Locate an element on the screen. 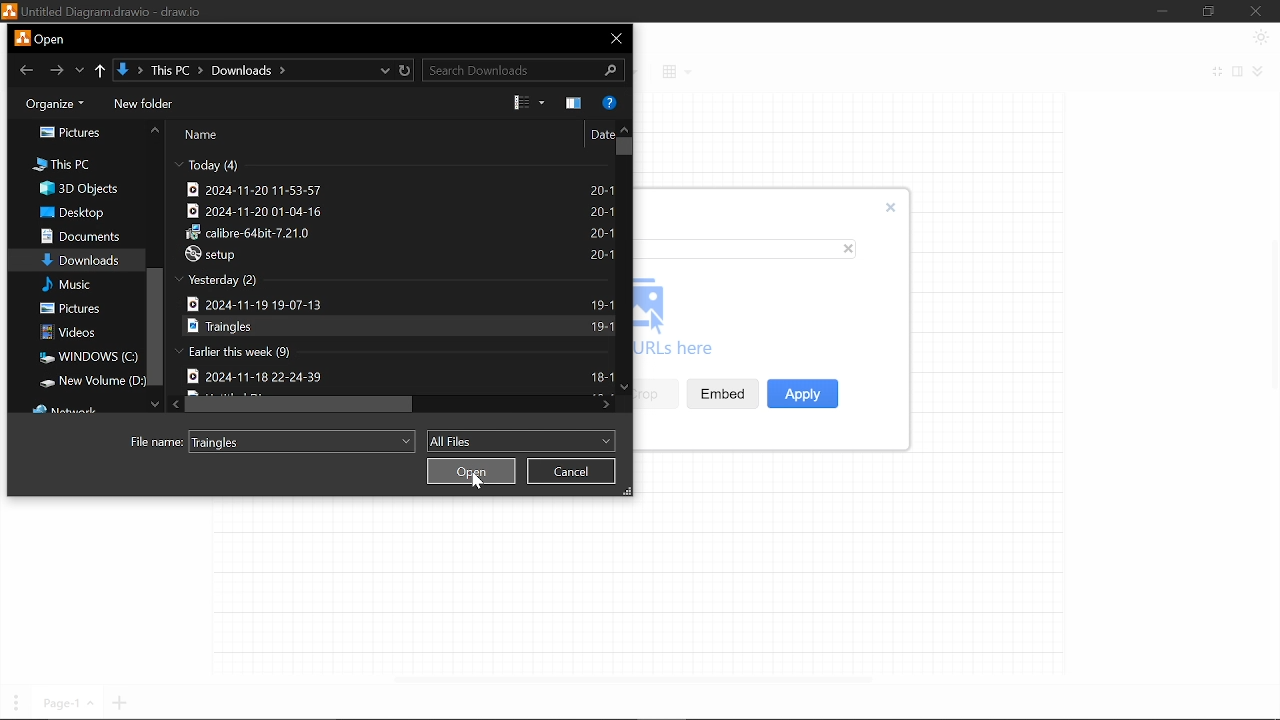 Image resolution: width=1280 pixels, height=720 pixels. untitled diagram.drawio-draw.io is located at coordinates (114, 11).